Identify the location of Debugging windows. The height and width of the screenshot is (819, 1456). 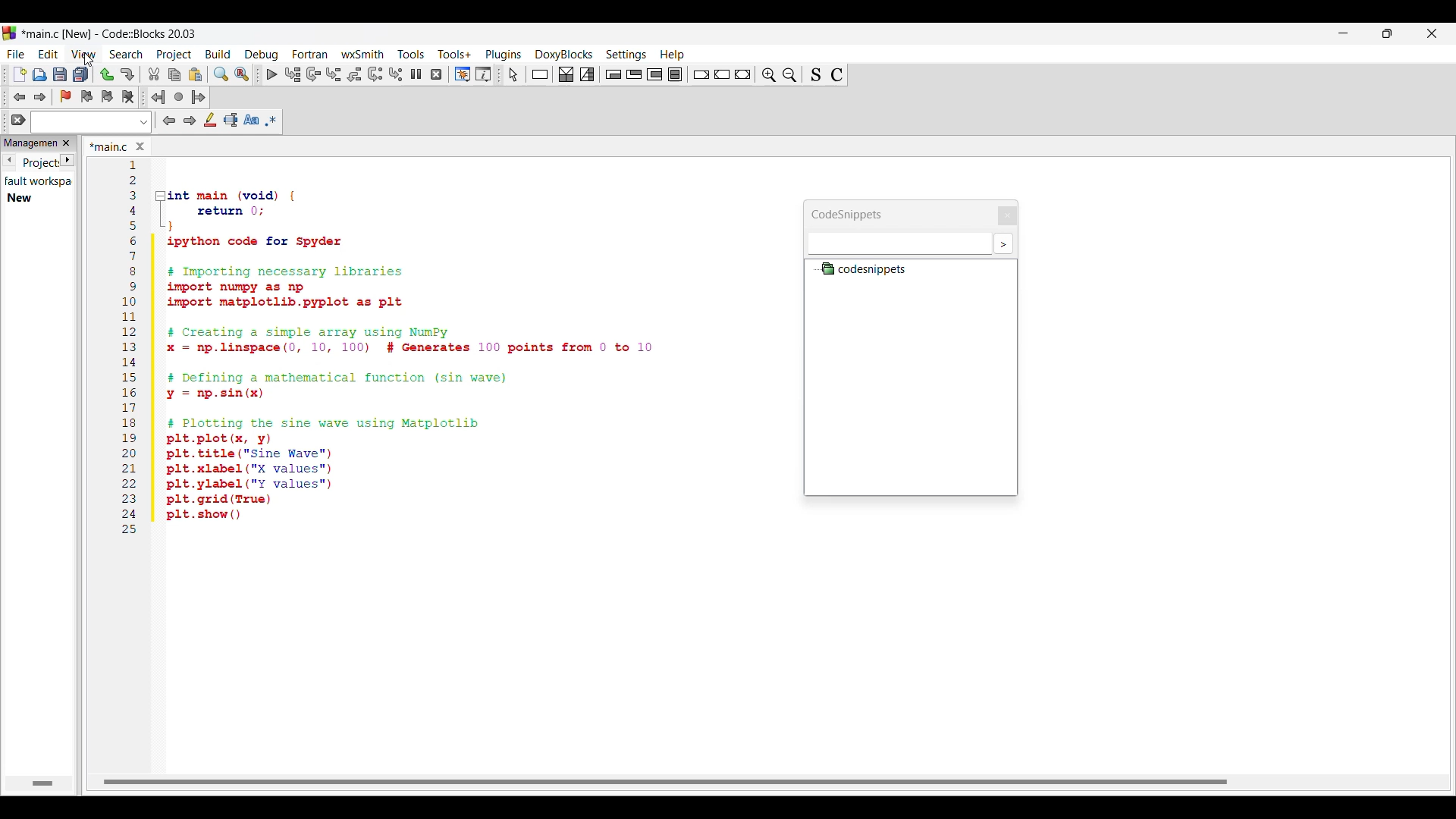
(462, 74).